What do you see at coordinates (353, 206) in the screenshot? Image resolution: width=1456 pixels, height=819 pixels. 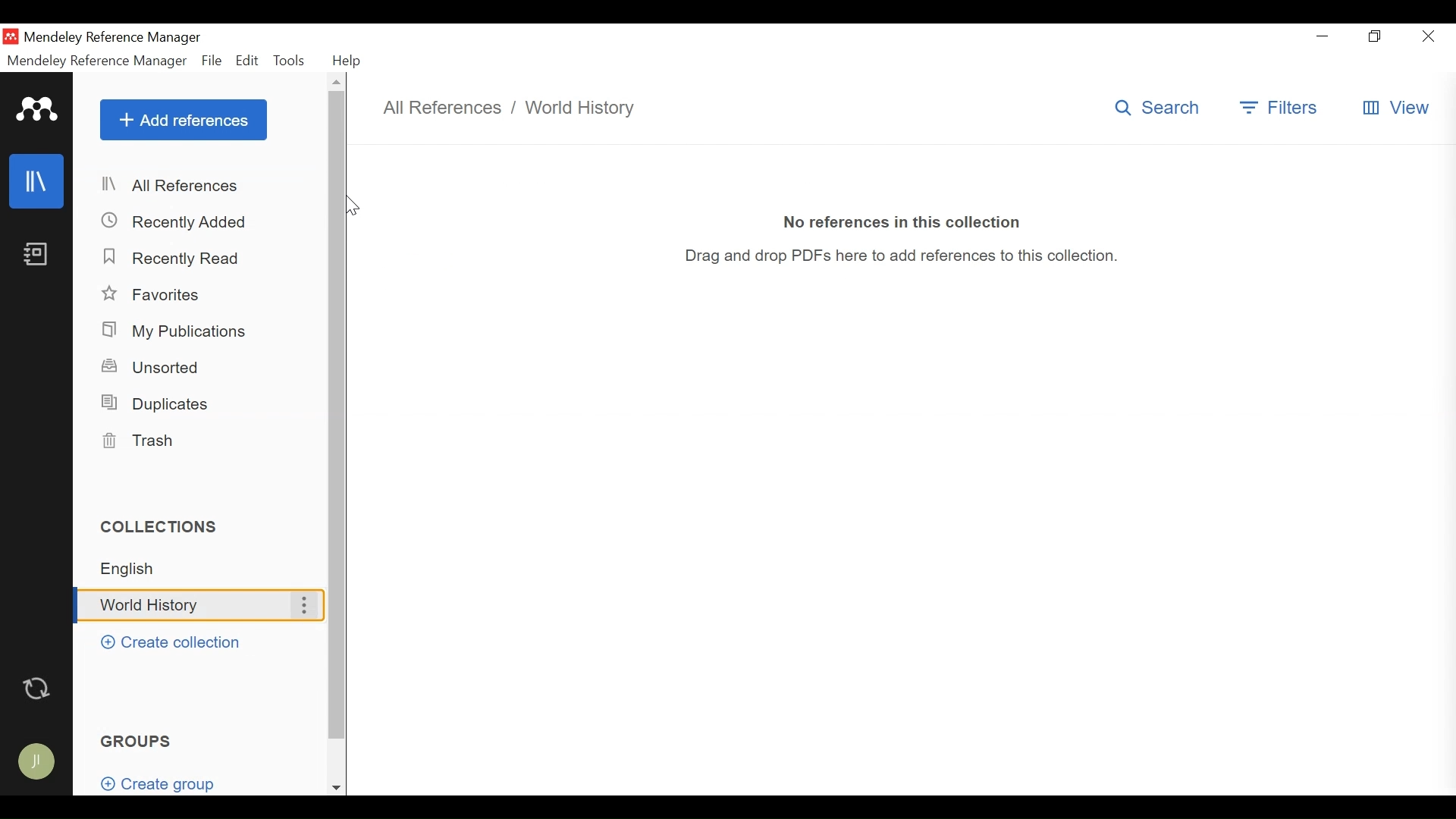 I see `Cursor` at bounding box center [353, 206].